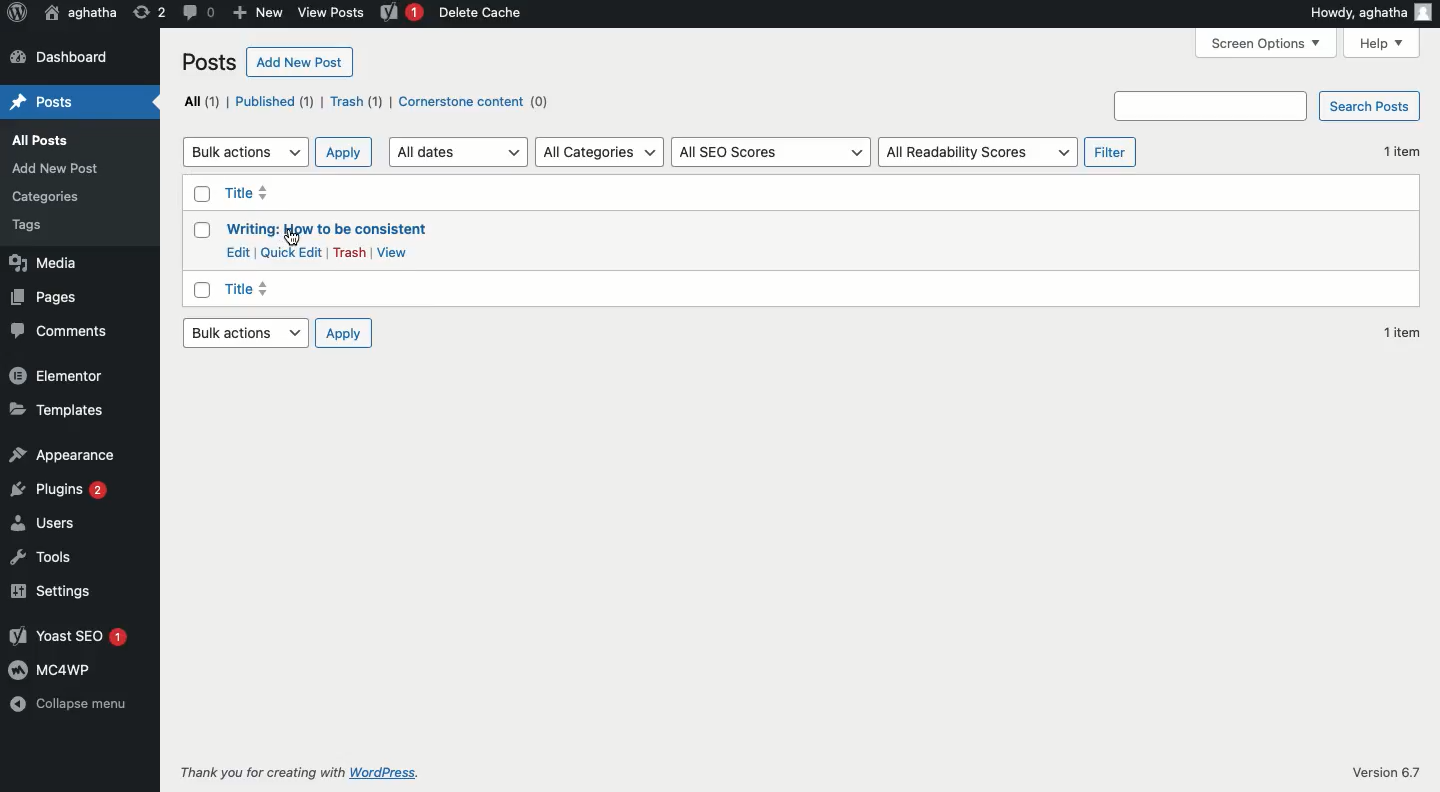  Describe the element at coordinates (1267, 44) in the screenshot. I see `Screen options` at that location.